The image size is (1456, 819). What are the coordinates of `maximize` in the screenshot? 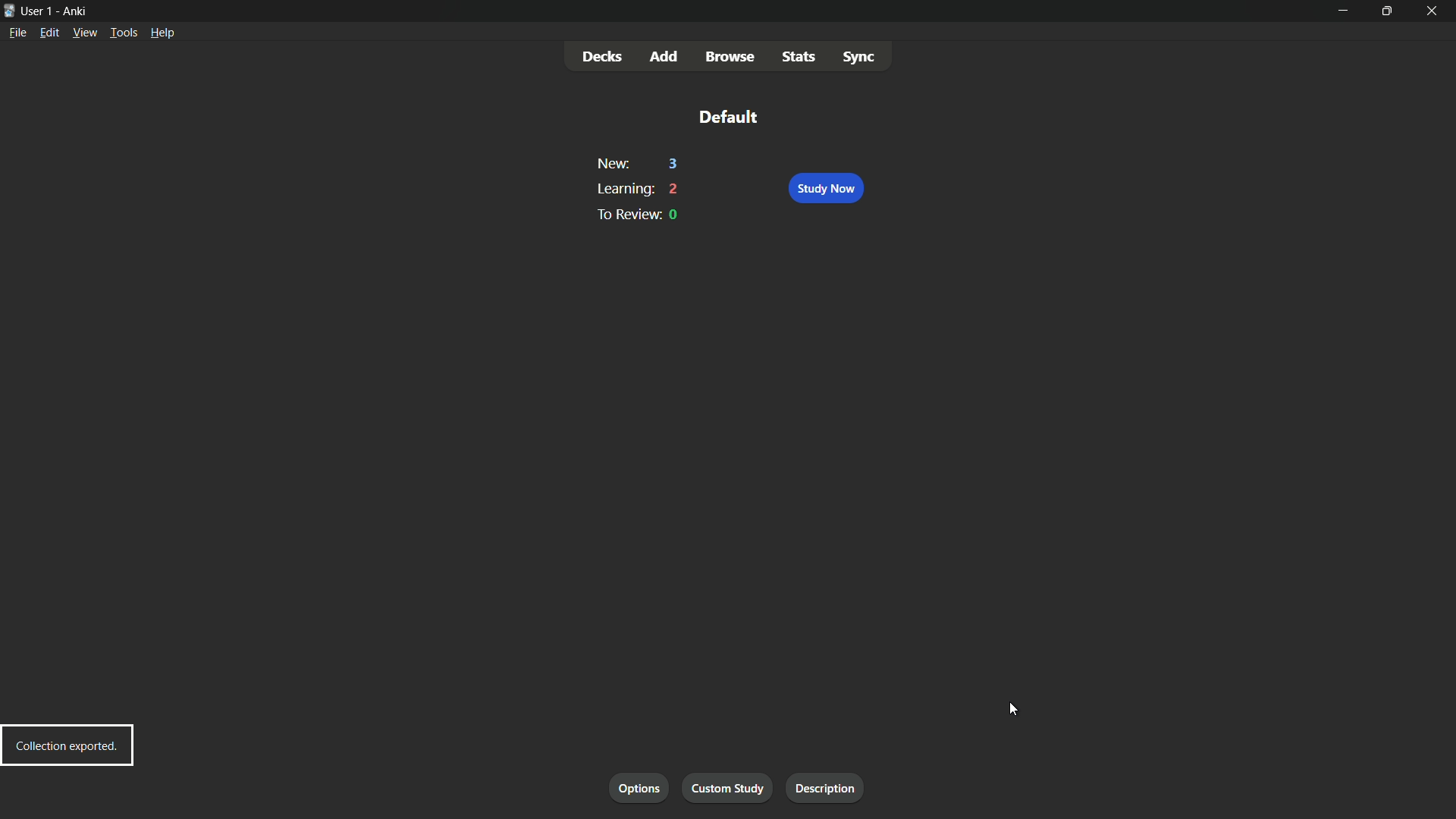 It's located at (1386, 10).